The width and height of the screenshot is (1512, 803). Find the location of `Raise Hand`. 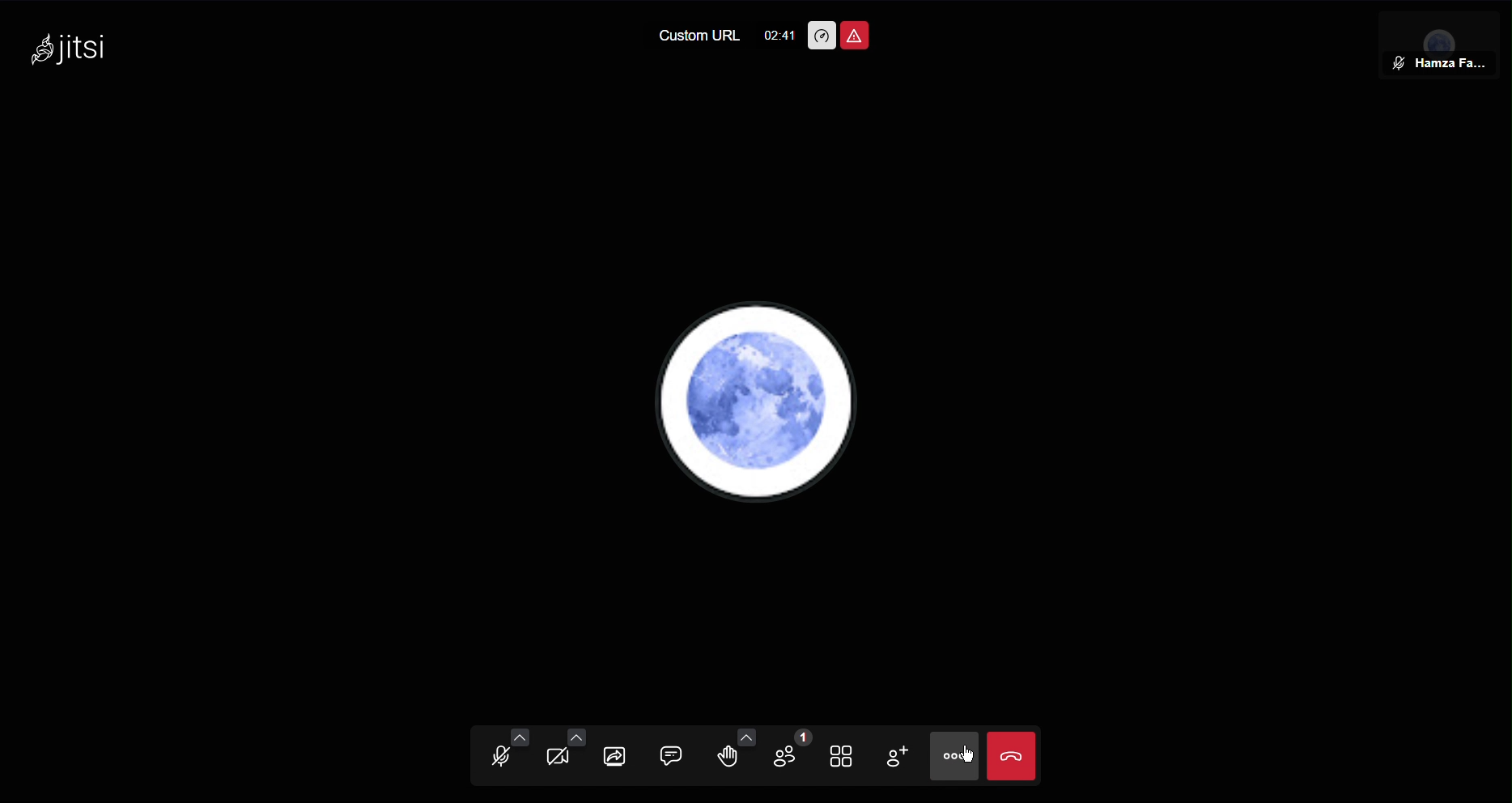

Raise Hand is located at coordinates (736, 755).